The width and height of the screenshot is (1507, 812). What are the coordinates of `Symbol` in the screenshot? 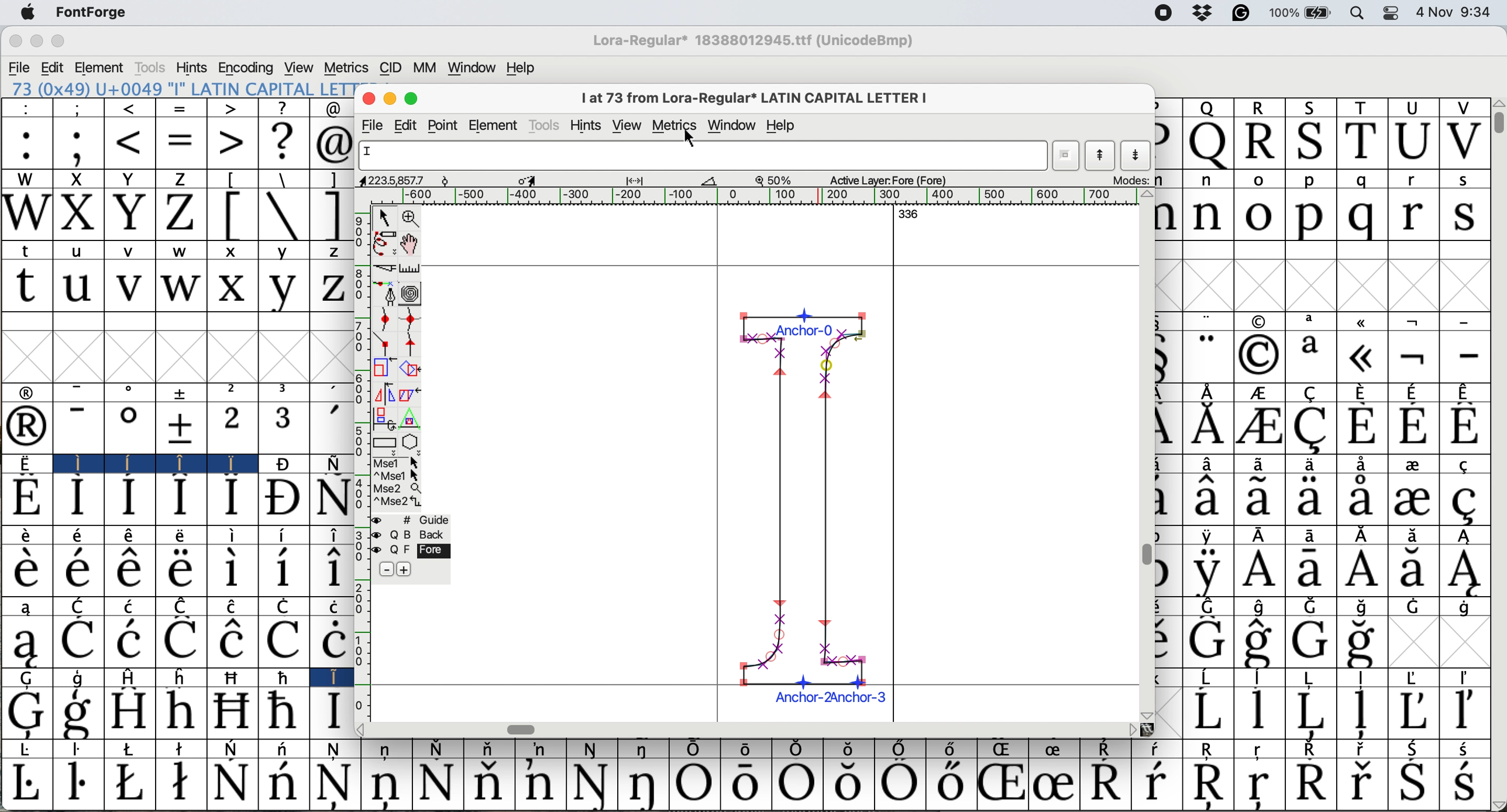 It's located at (1260, 711).